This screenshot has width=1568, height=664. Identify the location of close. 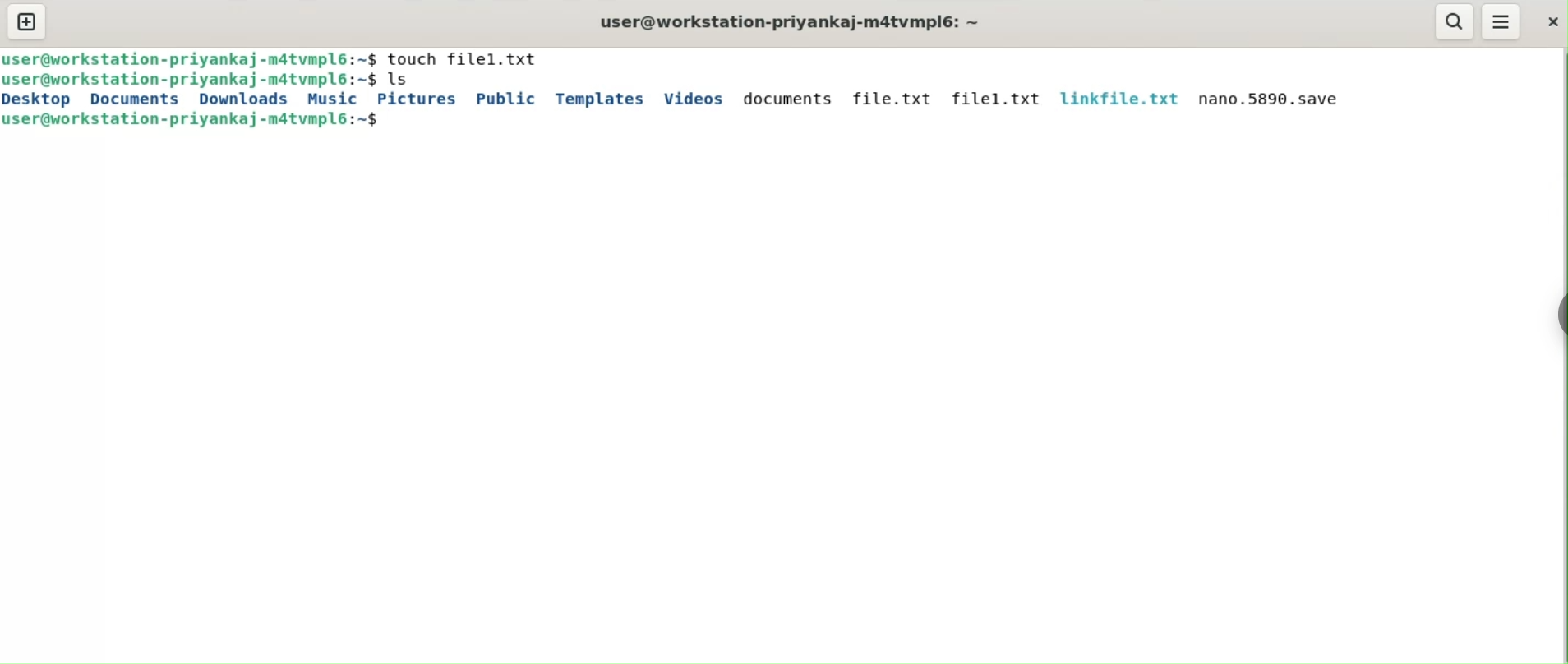
(1554, 24).